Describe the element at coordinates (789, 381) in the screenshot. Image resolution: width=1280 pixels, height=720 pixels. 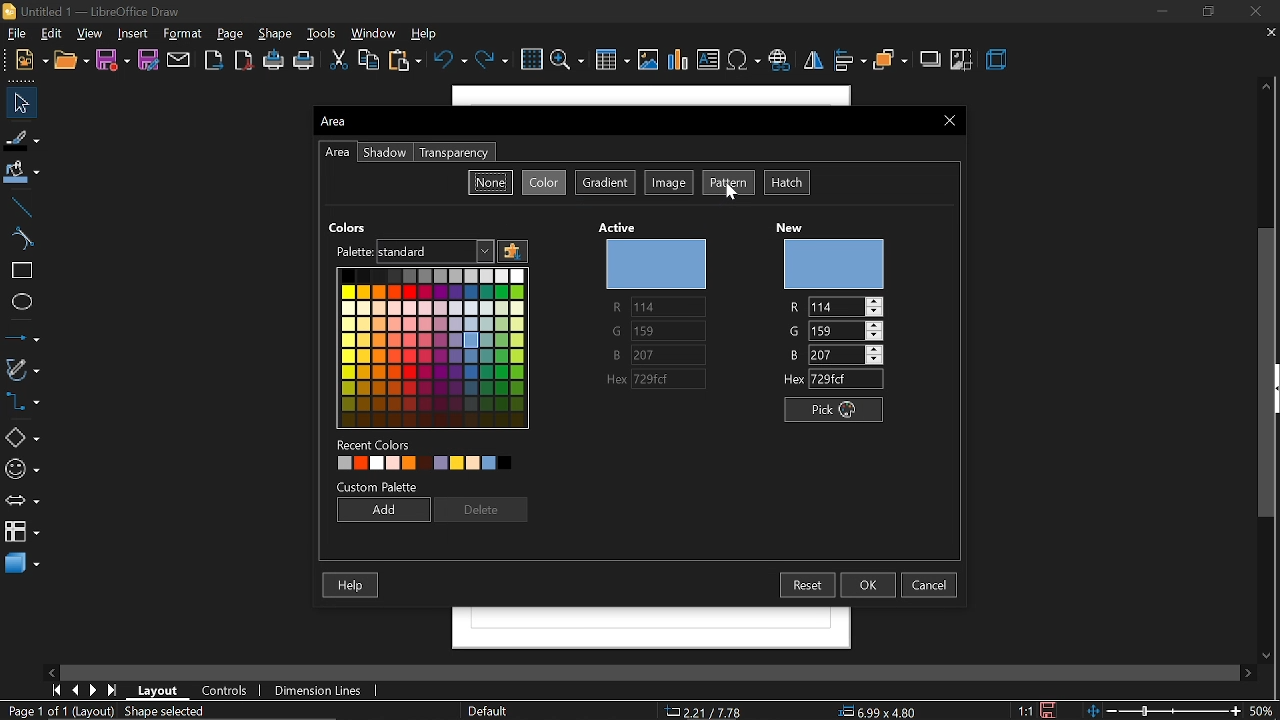
I see `Hex` at that location.